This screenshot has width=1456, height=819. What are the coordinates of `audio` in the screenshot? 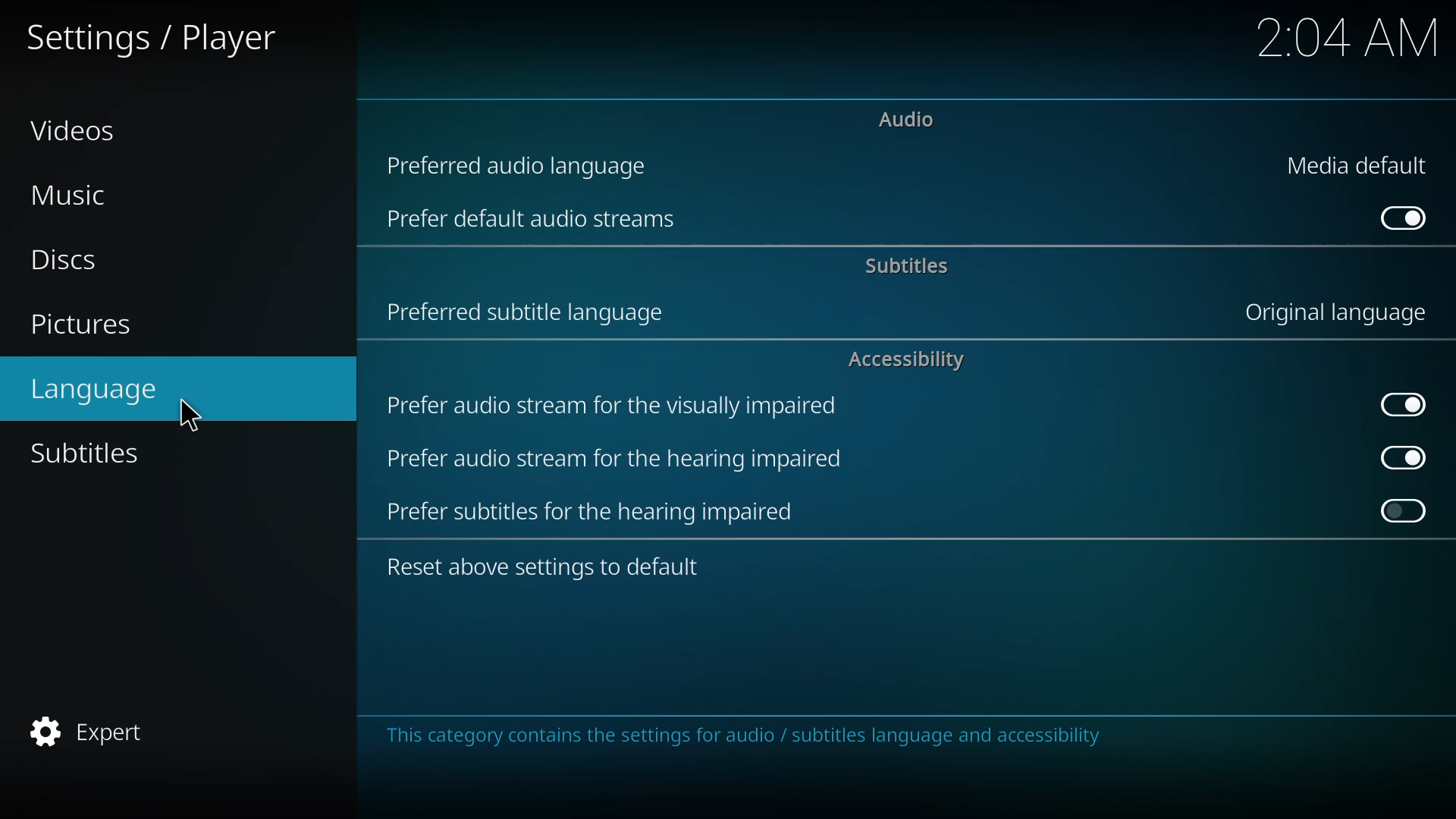 It's located at (908, 121).